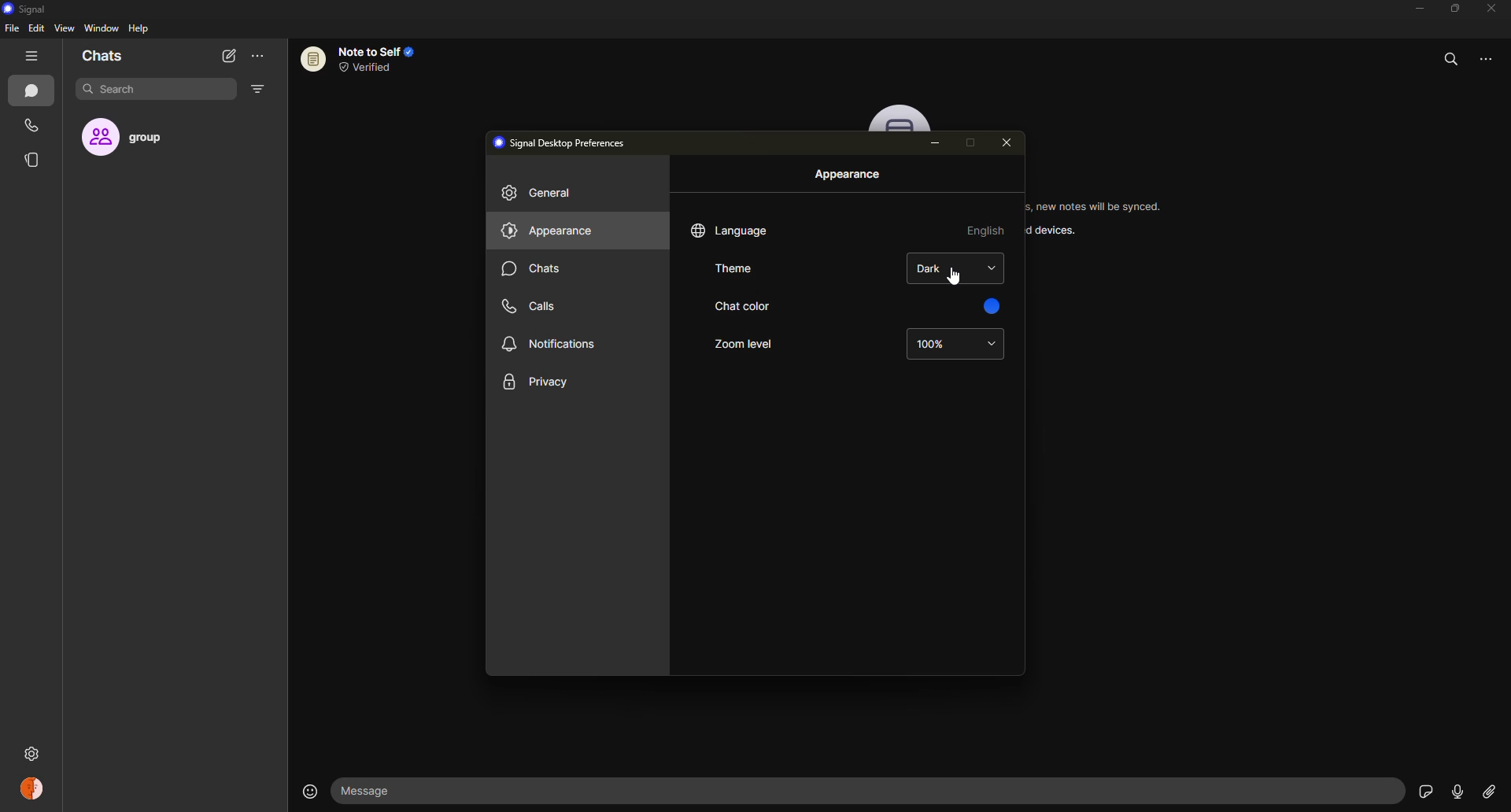  Describe the element at coordinates (737, 269) in the screenshot. I see `theme` at that location.